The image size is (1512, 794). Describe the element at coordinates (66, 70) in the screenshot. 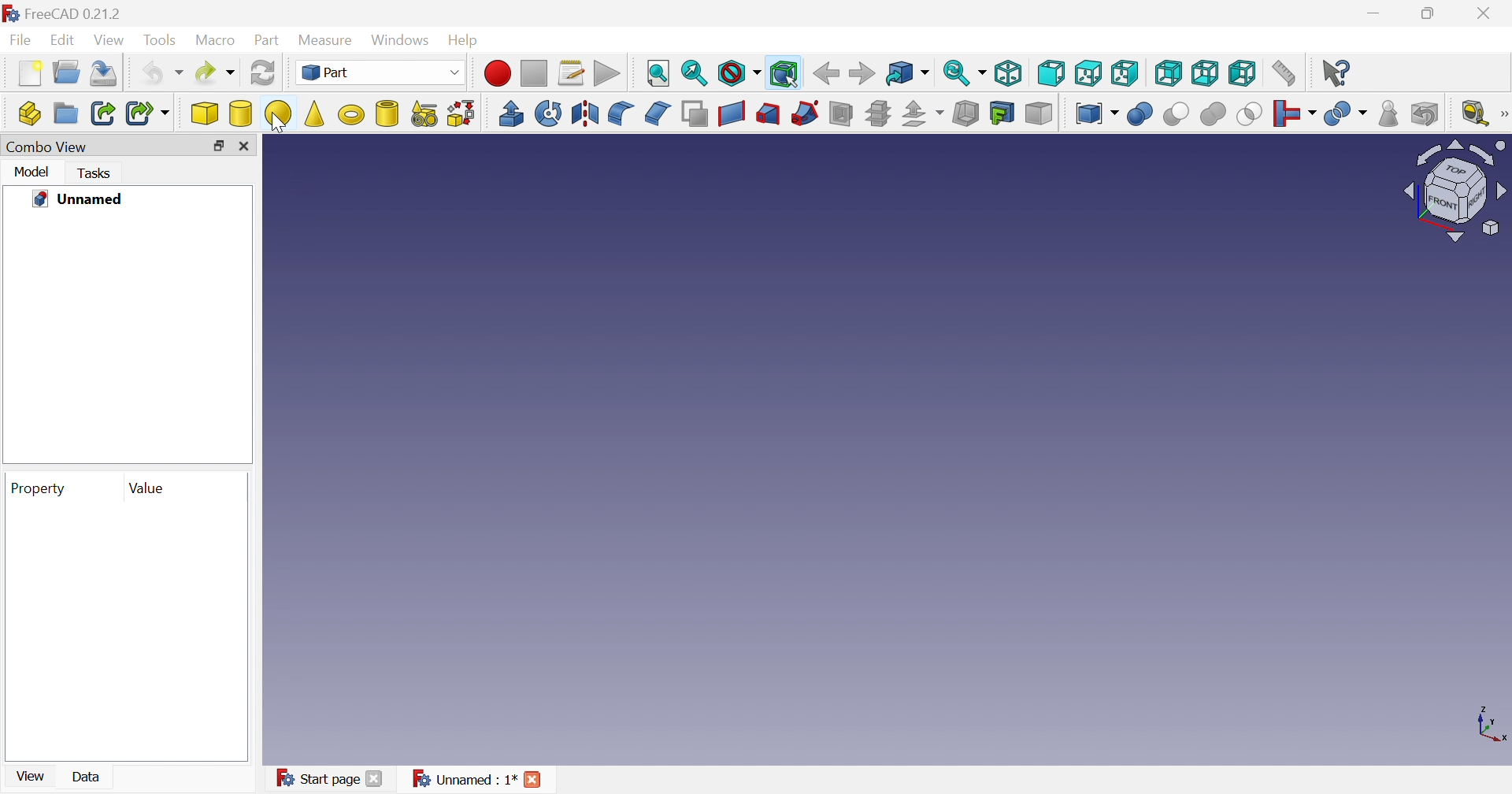

I see `Open` at that location.